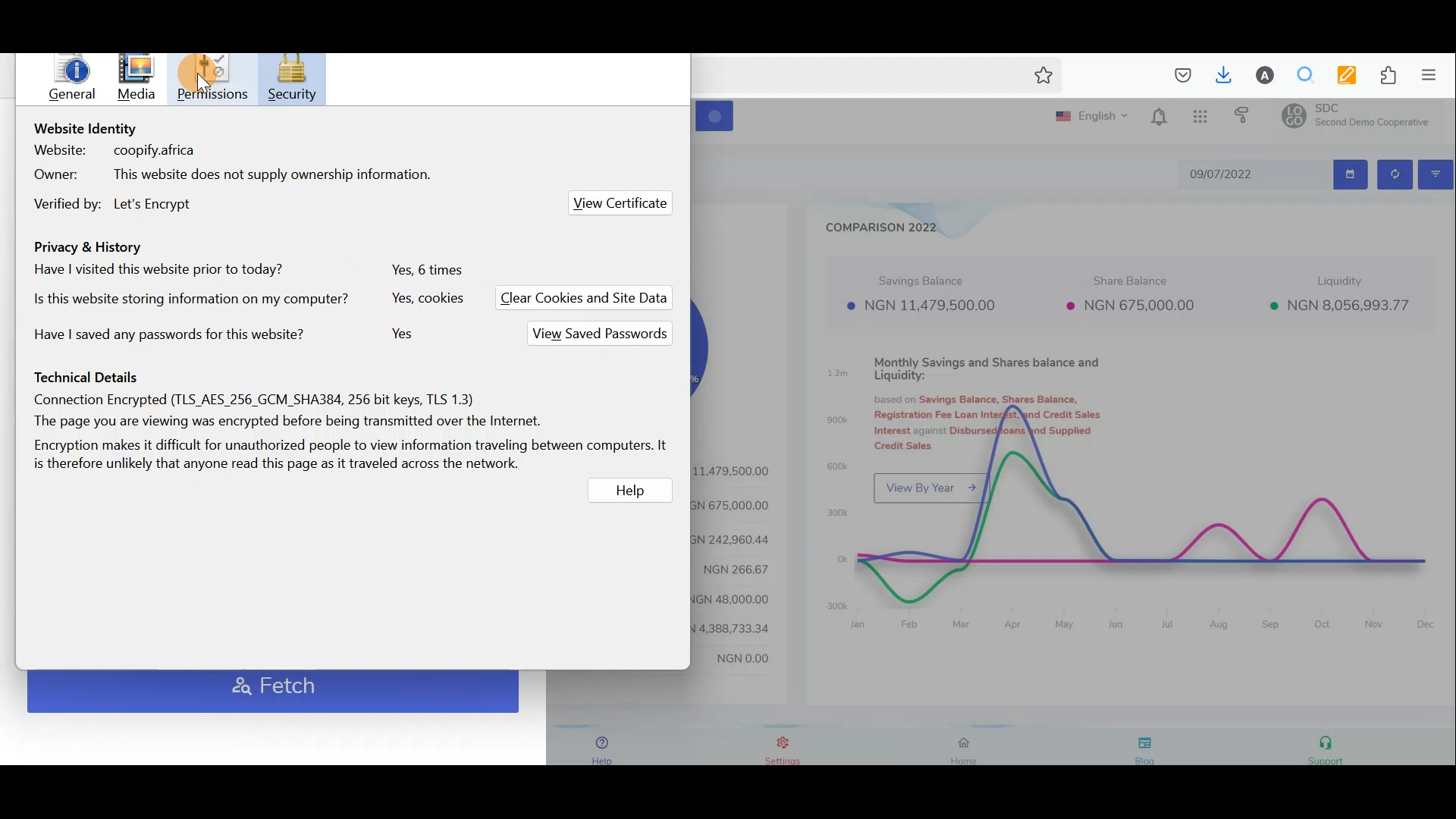 Image resolution: width=1456 pixels, height=819 pixels. Describe the element at coordinates (1075, 438) in the screenshot. I see `Dashboard with charts` at that location.